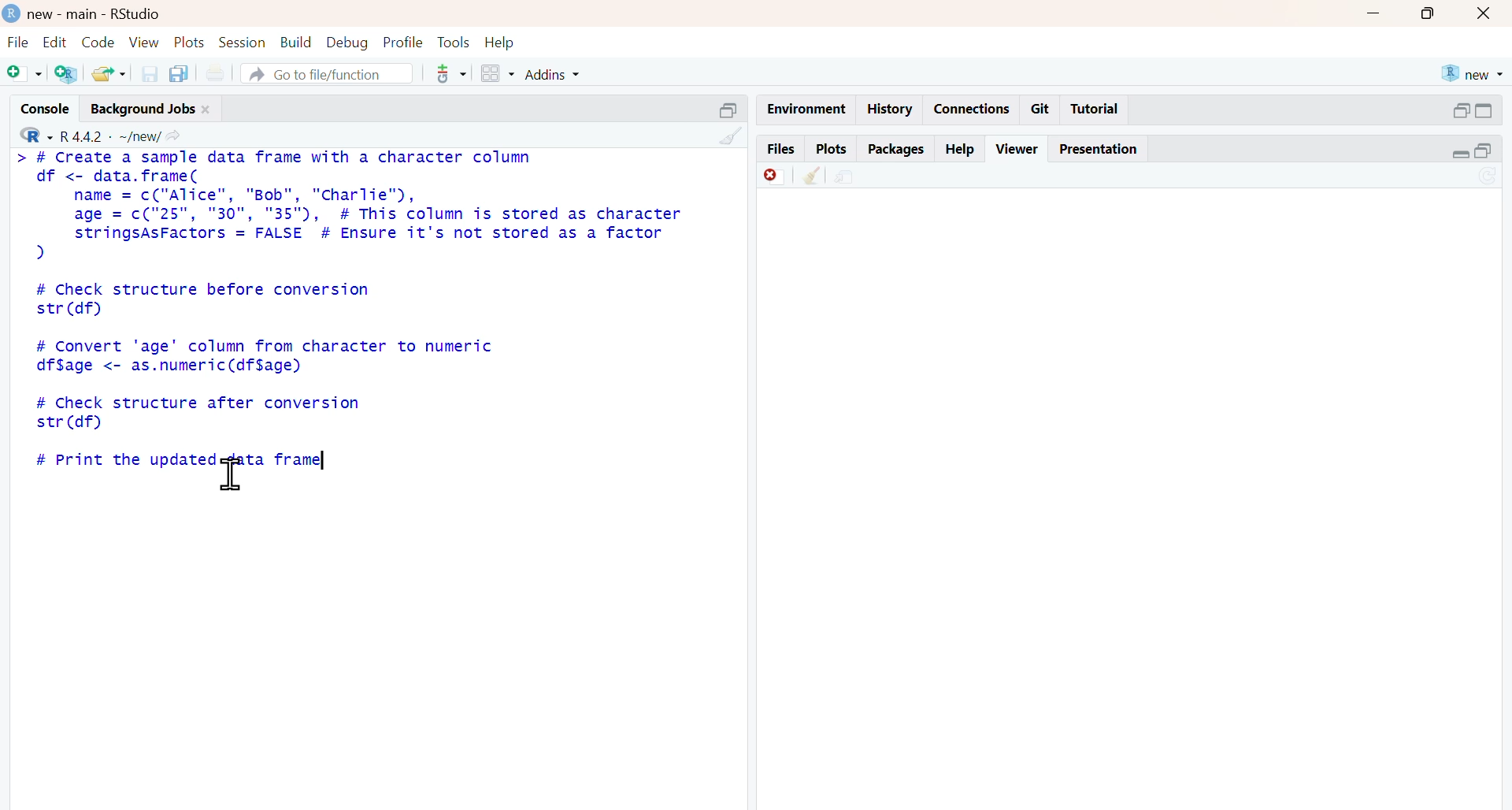 Image resolution: width=1512 pixels, height=810 pixels. Describe the element at coordinates (347, 43) in the screenshot. I see `debug` at that location.